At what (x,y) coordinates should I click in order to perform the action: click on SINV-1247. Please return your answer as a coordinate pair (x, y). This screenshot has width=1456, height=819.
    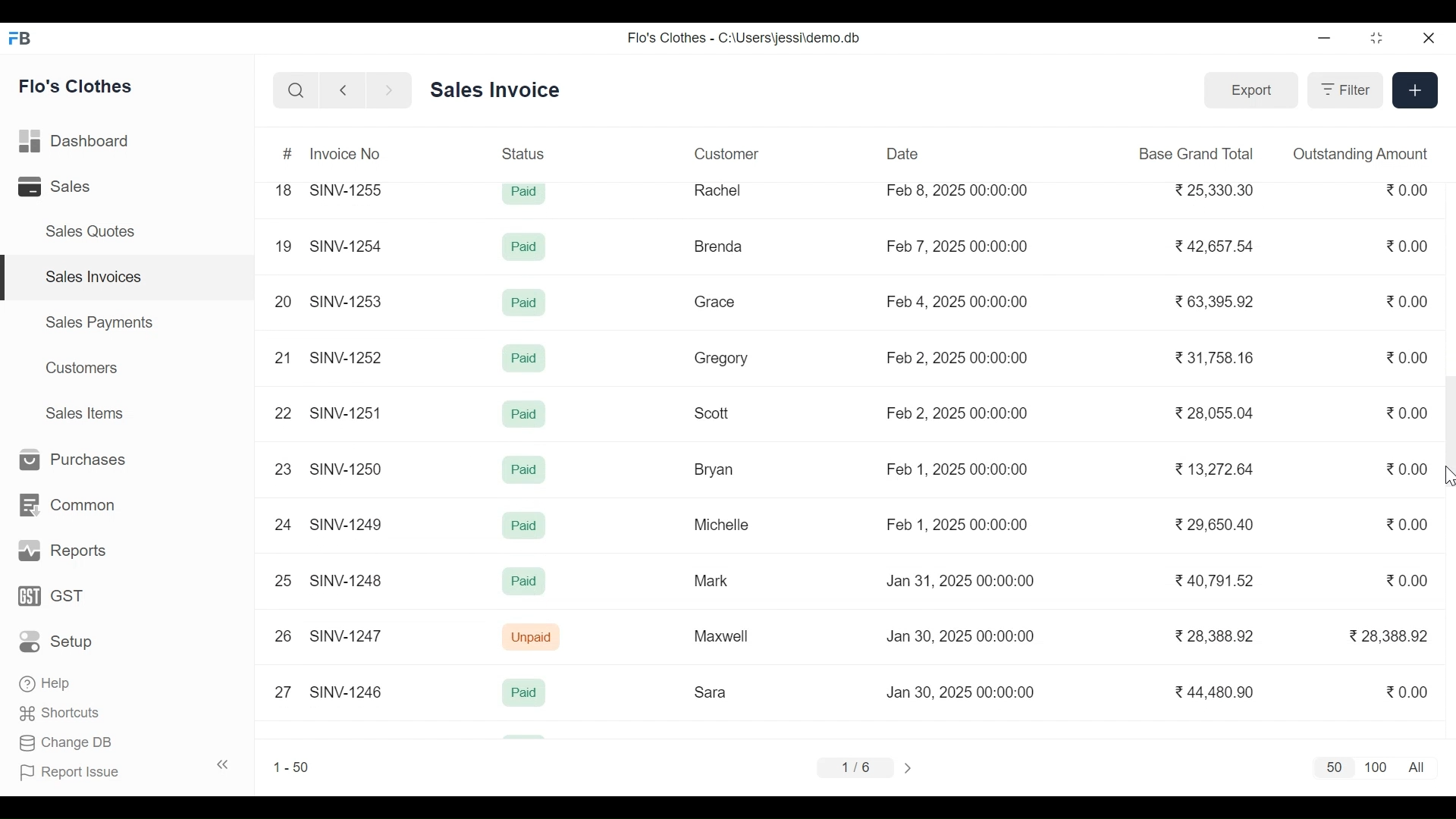
    Looking at the image, I should click on (349, 635).